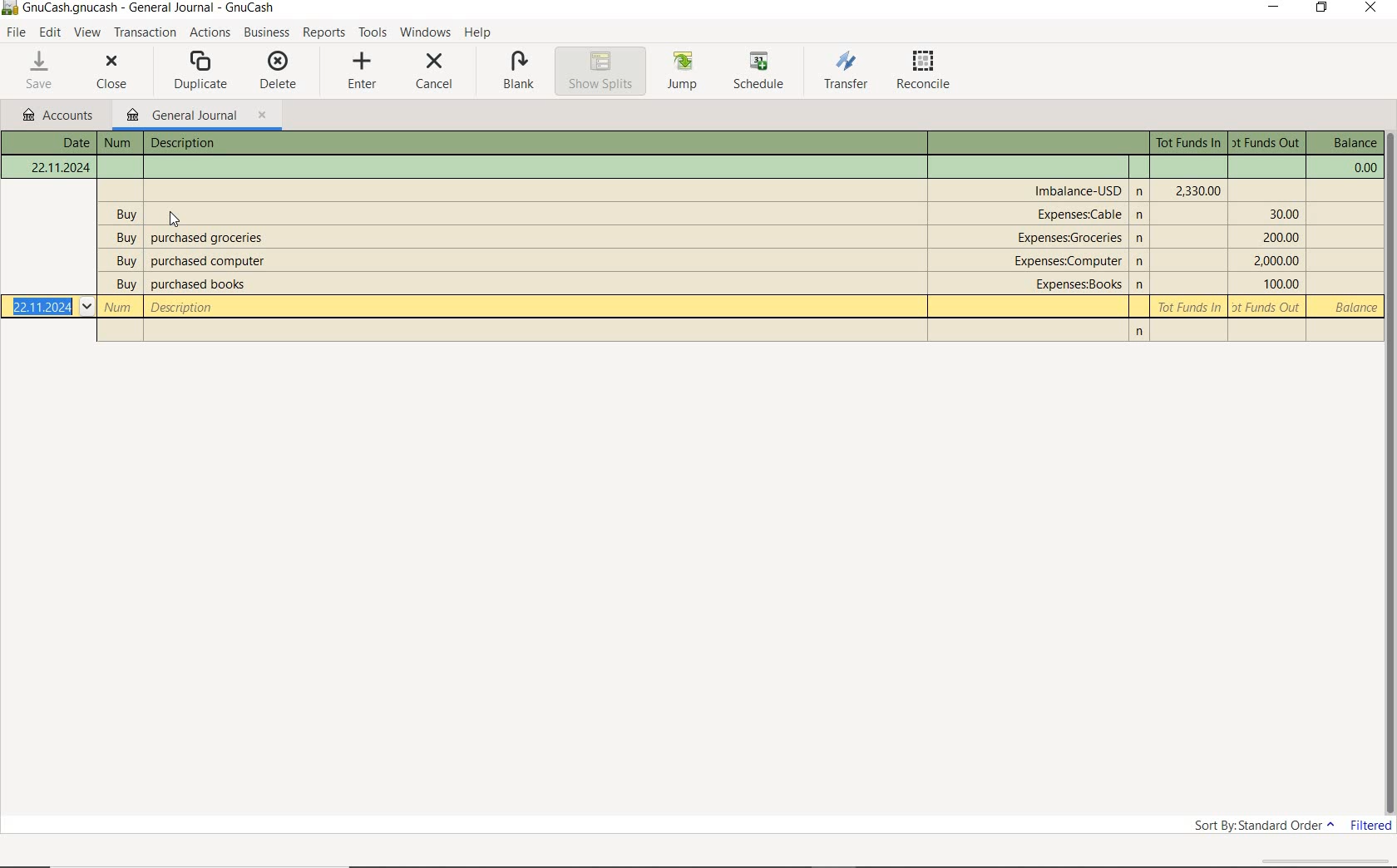  I want to click on delete, so click(277, 72).